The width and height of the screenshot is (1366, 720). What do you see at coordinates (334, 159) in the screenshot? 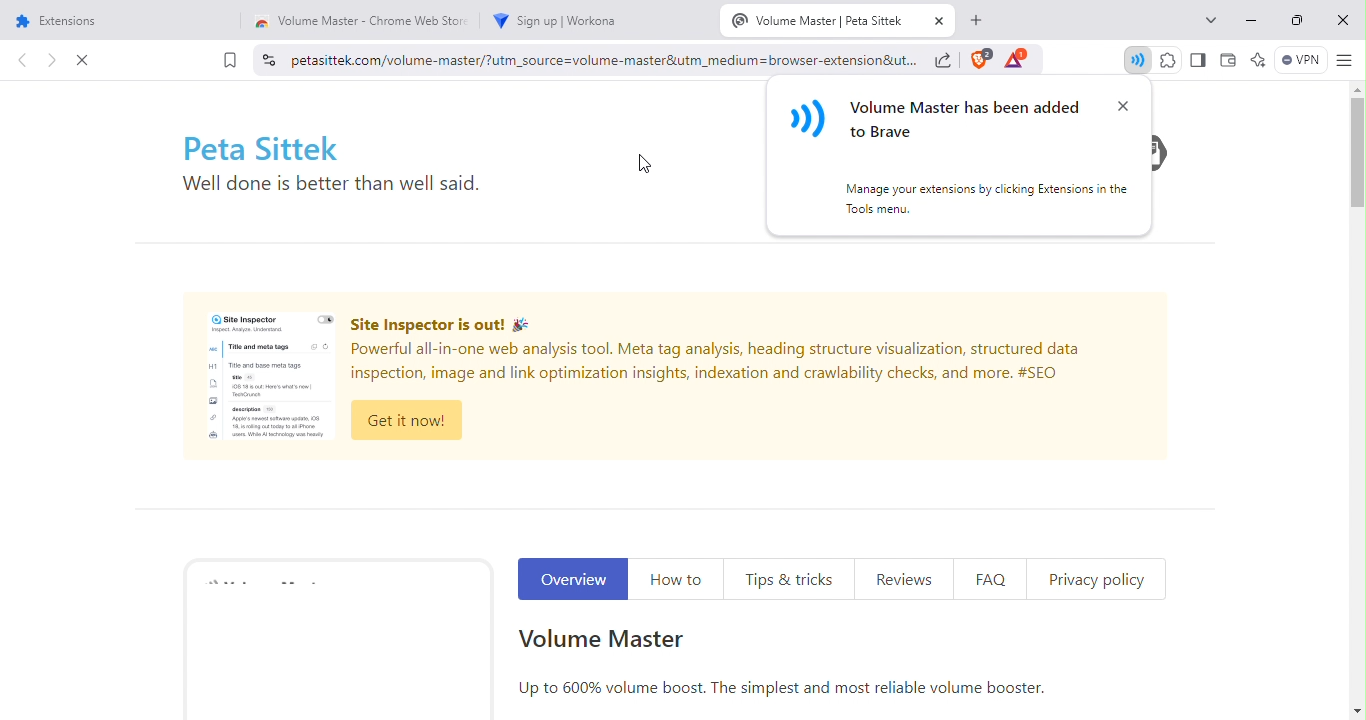
I see `Text` at bounding box center [334, 159].